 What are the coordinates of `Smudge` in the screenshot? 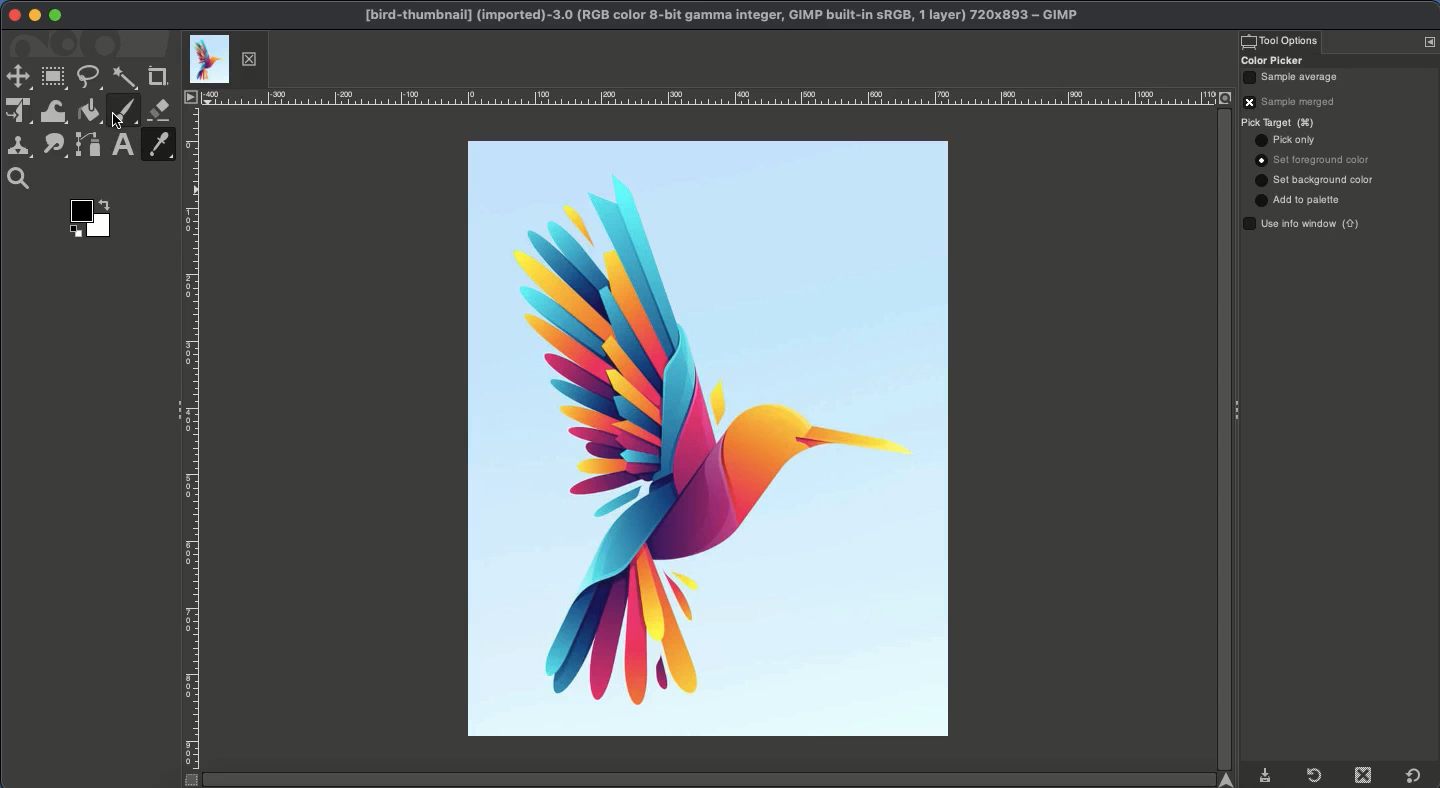 It's located at (54, 147).